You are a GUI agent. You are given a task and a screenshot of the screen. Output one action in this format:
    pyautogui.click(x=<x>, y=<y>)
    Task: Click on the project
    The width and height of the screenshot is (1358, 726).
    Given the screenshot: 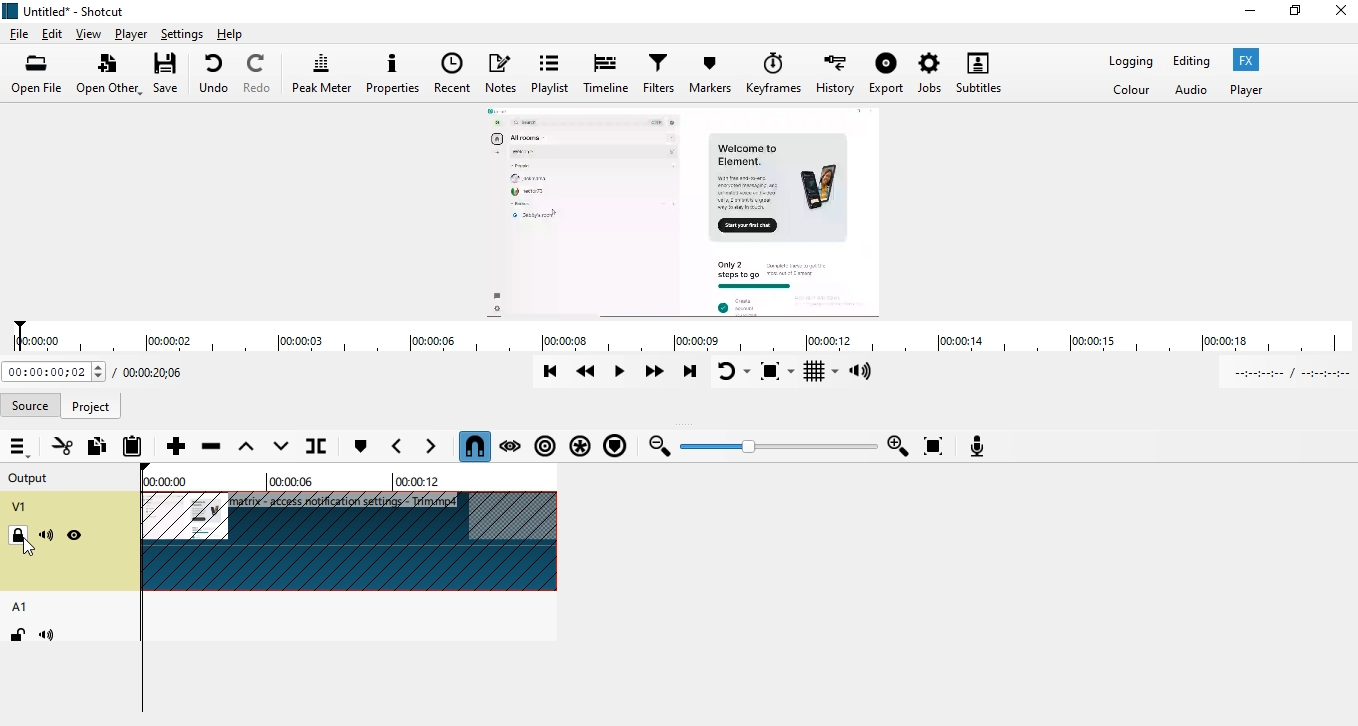 What is the action you would take?
    pyautogui.click(x=91, y=406)
    